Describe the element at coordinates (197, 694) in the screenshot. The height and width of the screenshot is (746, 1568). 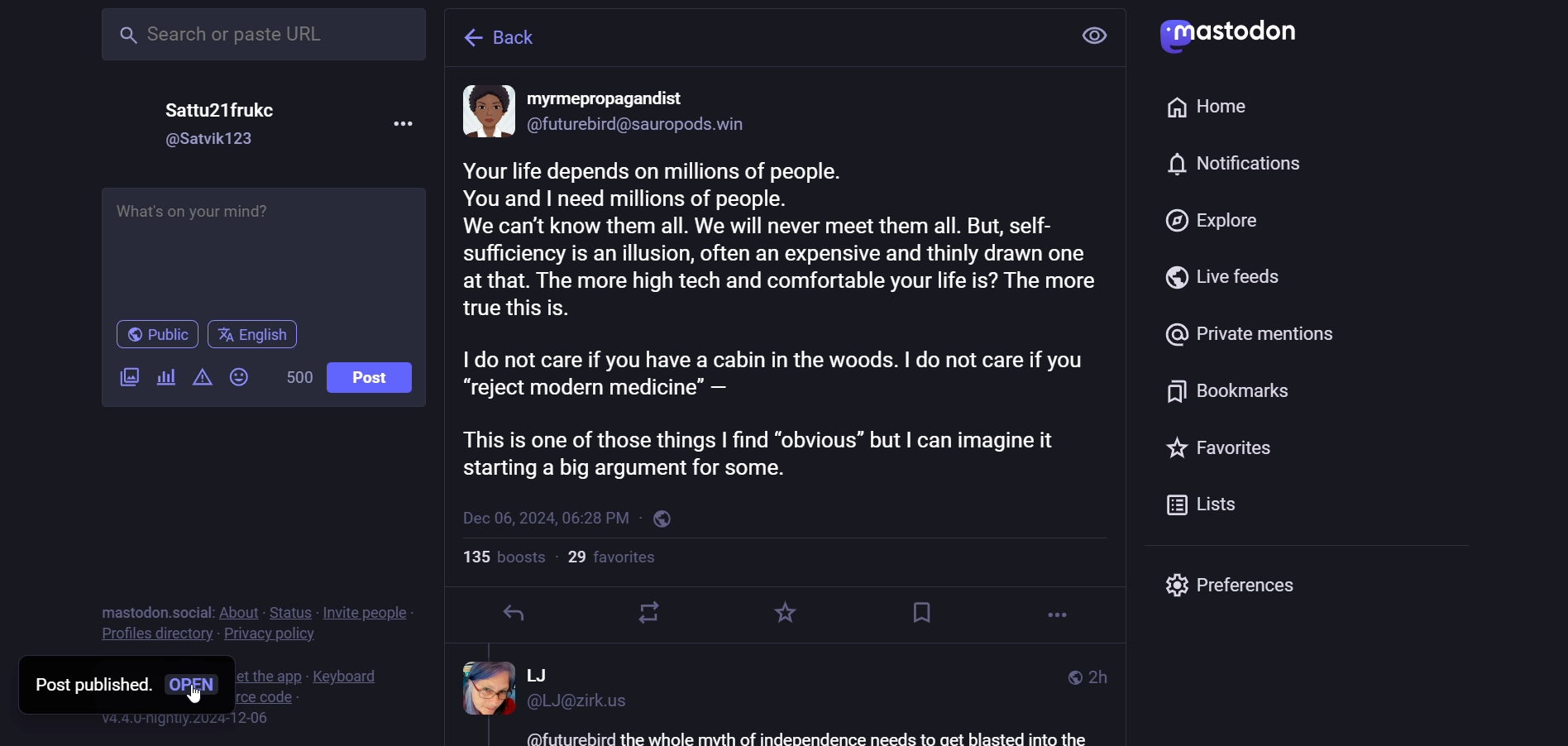
I see `cursor` at that location.